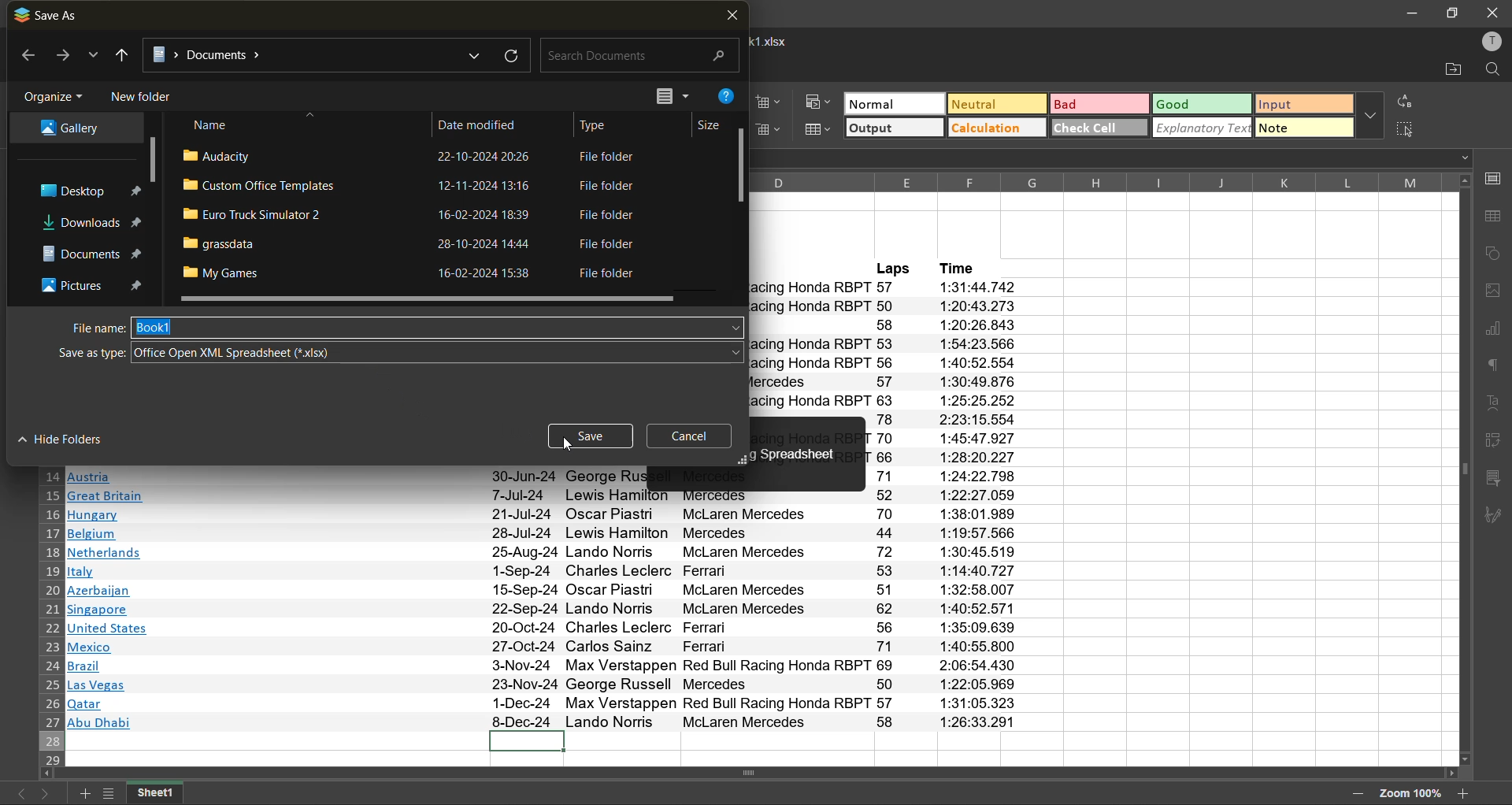 The width and height of the screenshot is (1512, 805). Describe the element at coordinates (77, 353) in the screenshot. I see `save as type` at that location.